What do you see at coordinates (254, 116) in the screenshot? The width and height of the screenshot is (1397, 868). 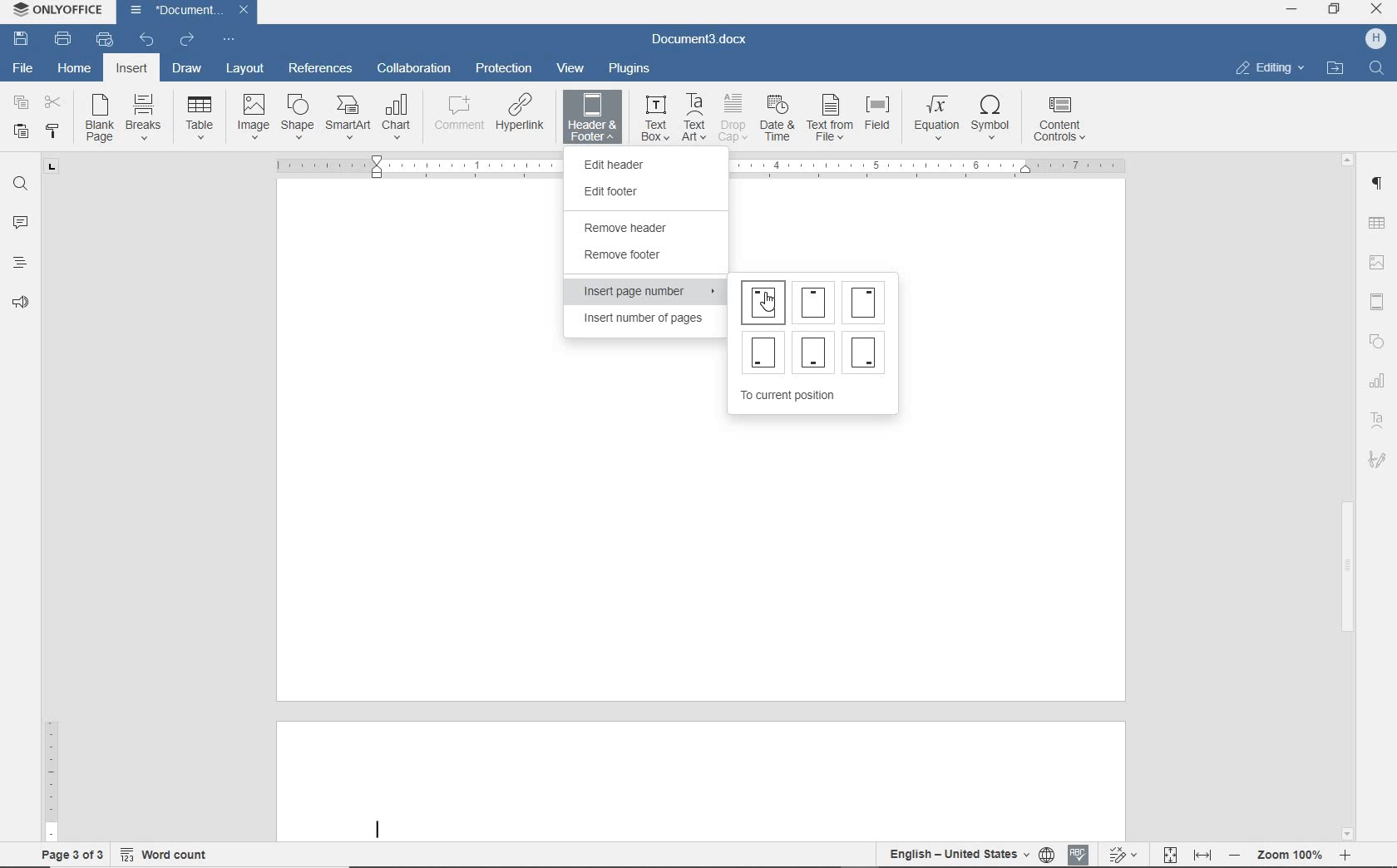 I see `IMAGE` at bounding box center [254, 116].